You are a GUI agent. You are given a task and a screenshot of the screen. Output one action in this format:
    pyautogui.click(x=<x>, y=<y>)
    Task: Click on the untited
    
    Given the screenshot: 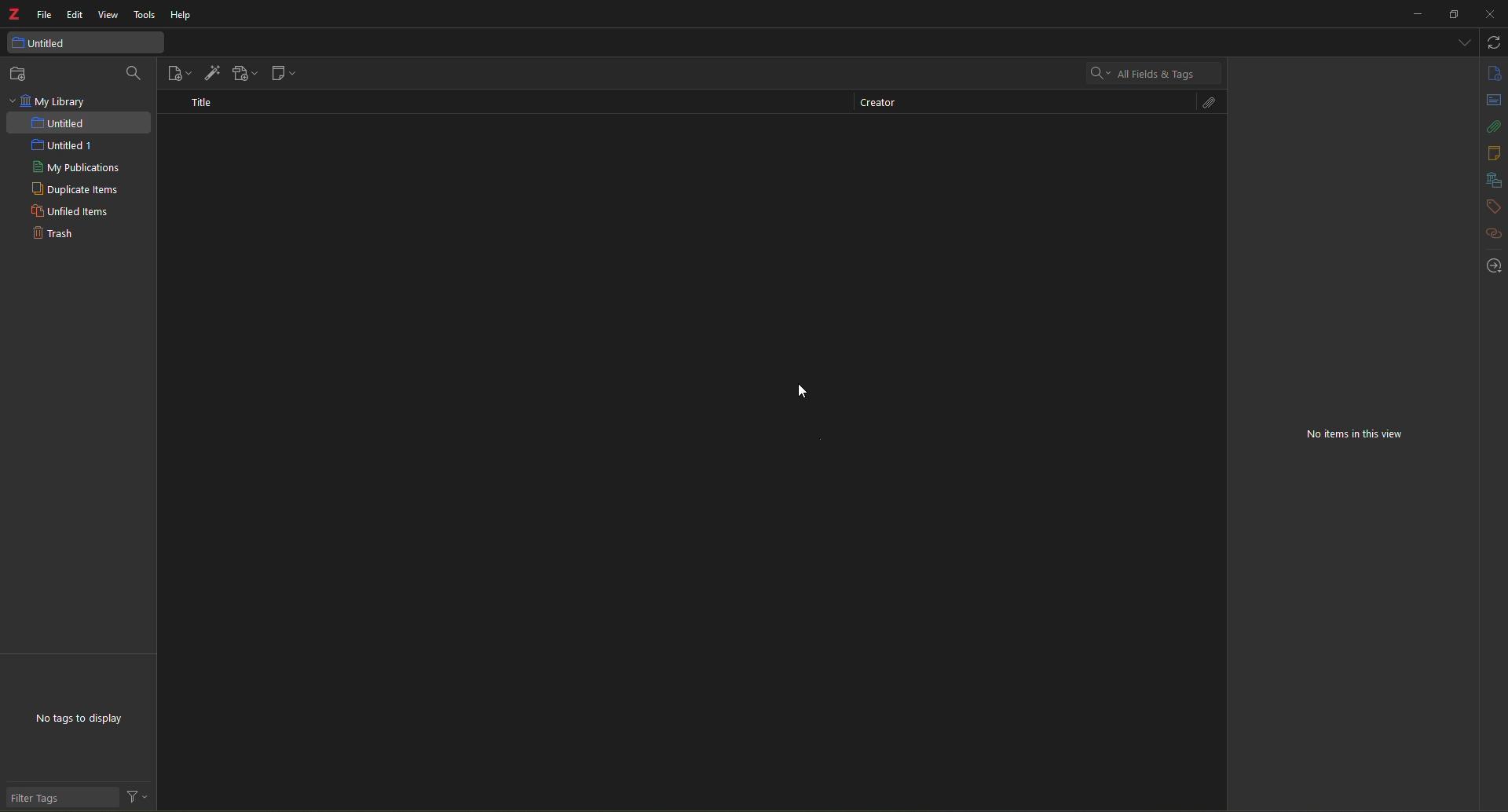 What is the action you would take?
    pyautogui.click(x=58, y=123)
    